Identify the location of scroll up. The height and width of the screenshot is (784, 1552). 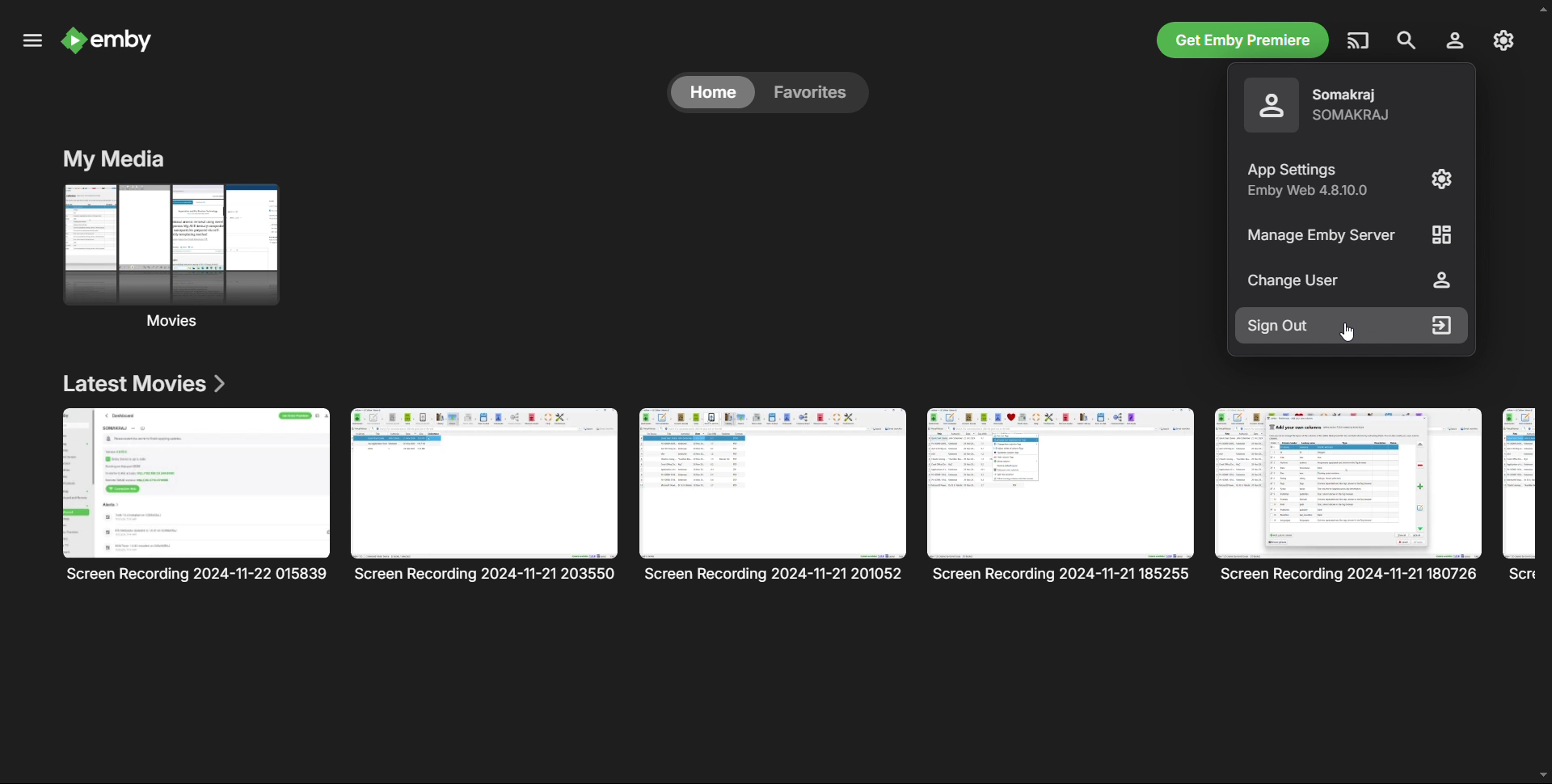
(1542, 8).